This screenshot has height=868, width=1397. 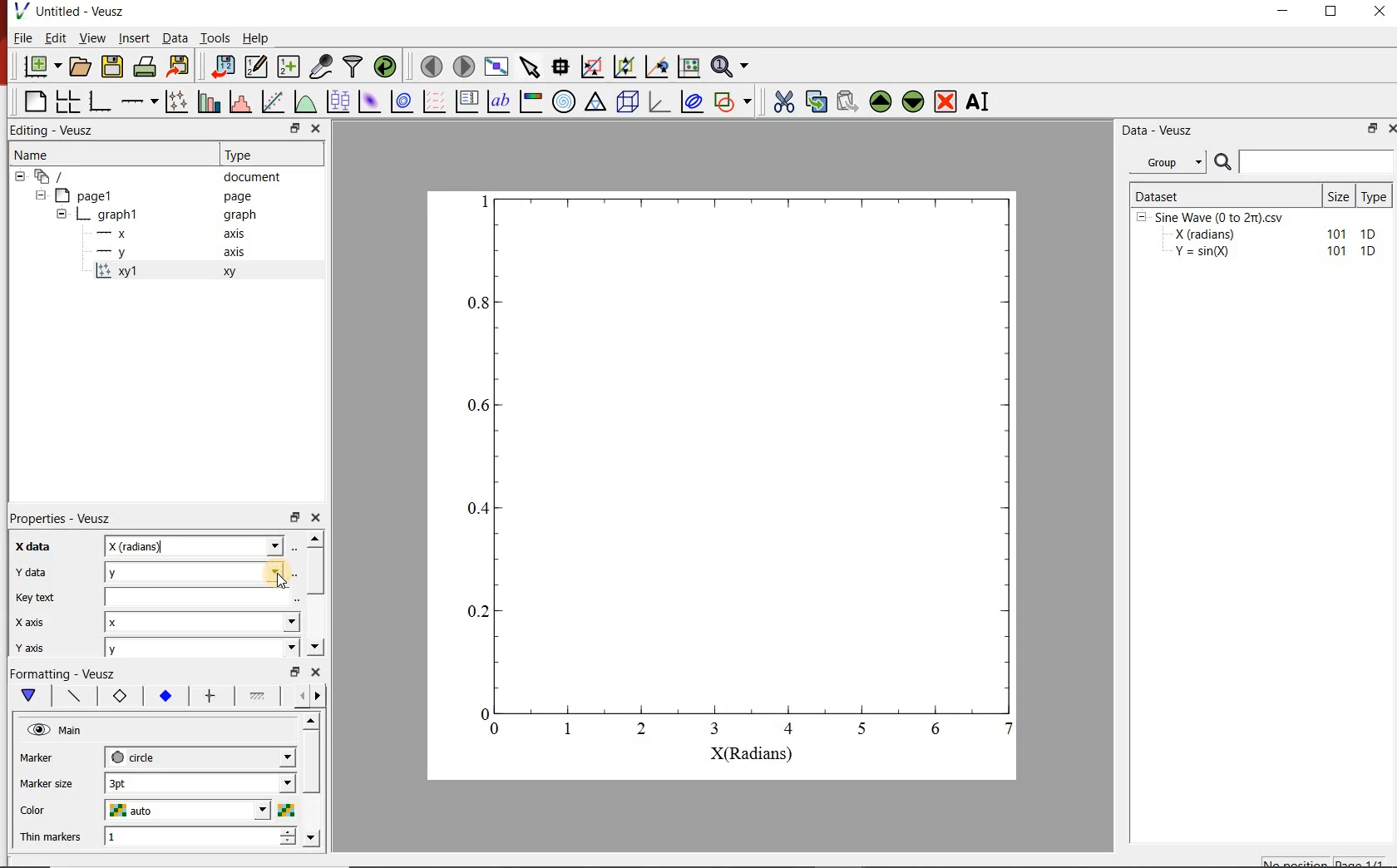 What do you see at coordinates (242, 101) in the screenshot?
I see `histogram` at bounding box center [242, 101].